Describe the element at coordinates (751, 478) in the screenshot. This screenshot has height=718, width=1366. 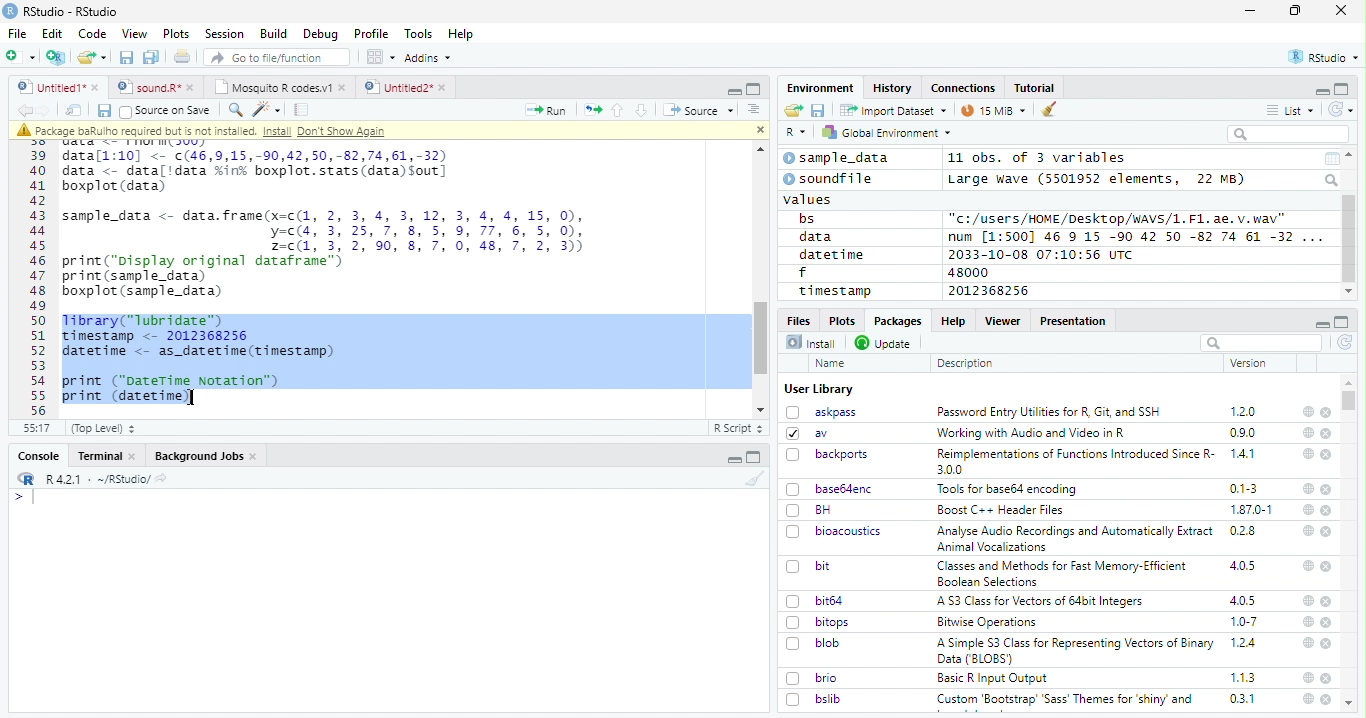
I see `clear workspace` at that location.